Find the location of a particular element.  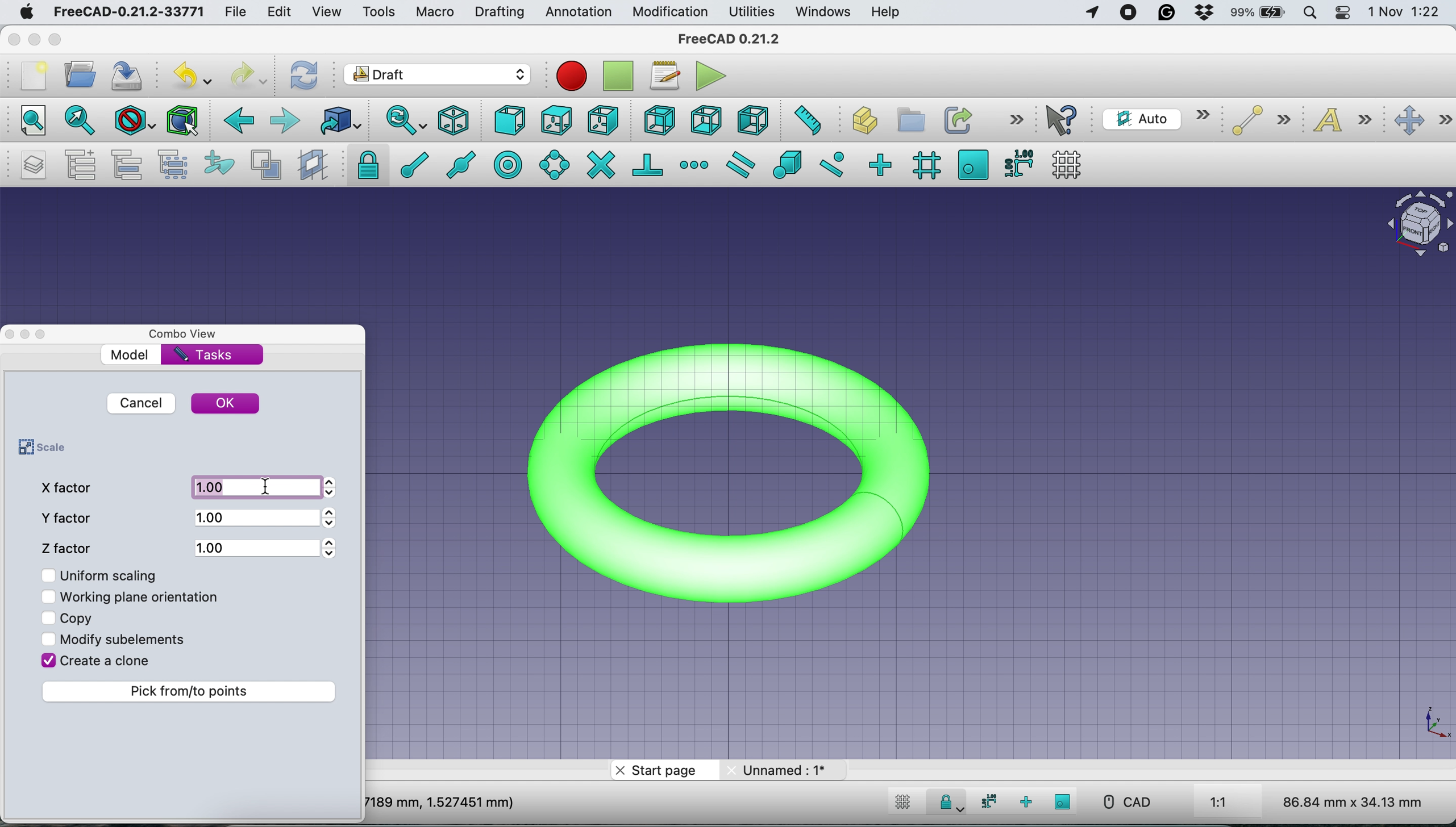

current working plane is located at coordinates (1155, 118).